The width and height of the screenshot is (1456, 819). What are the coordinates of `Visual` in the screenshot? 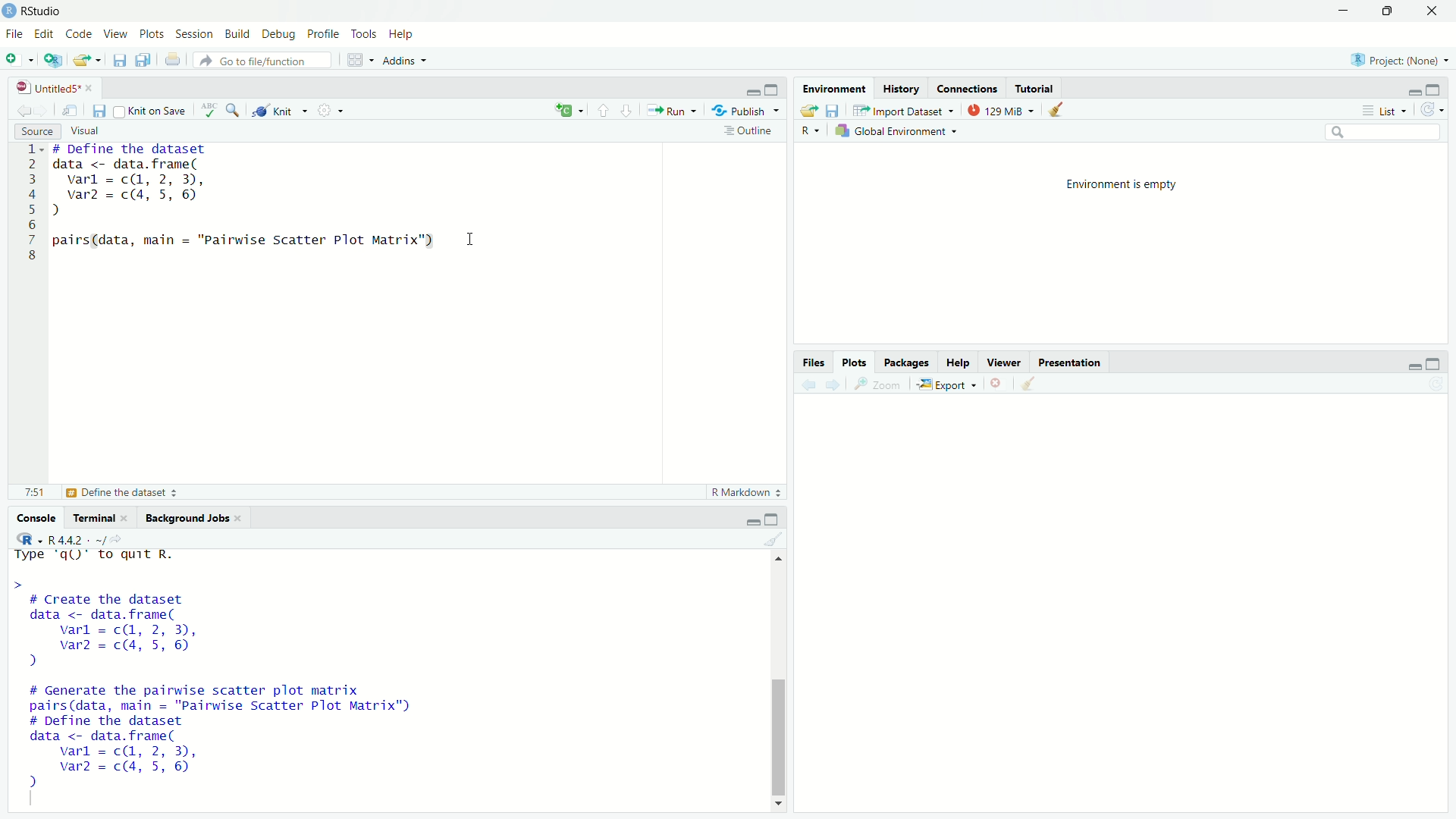 It's located at (89, 132).